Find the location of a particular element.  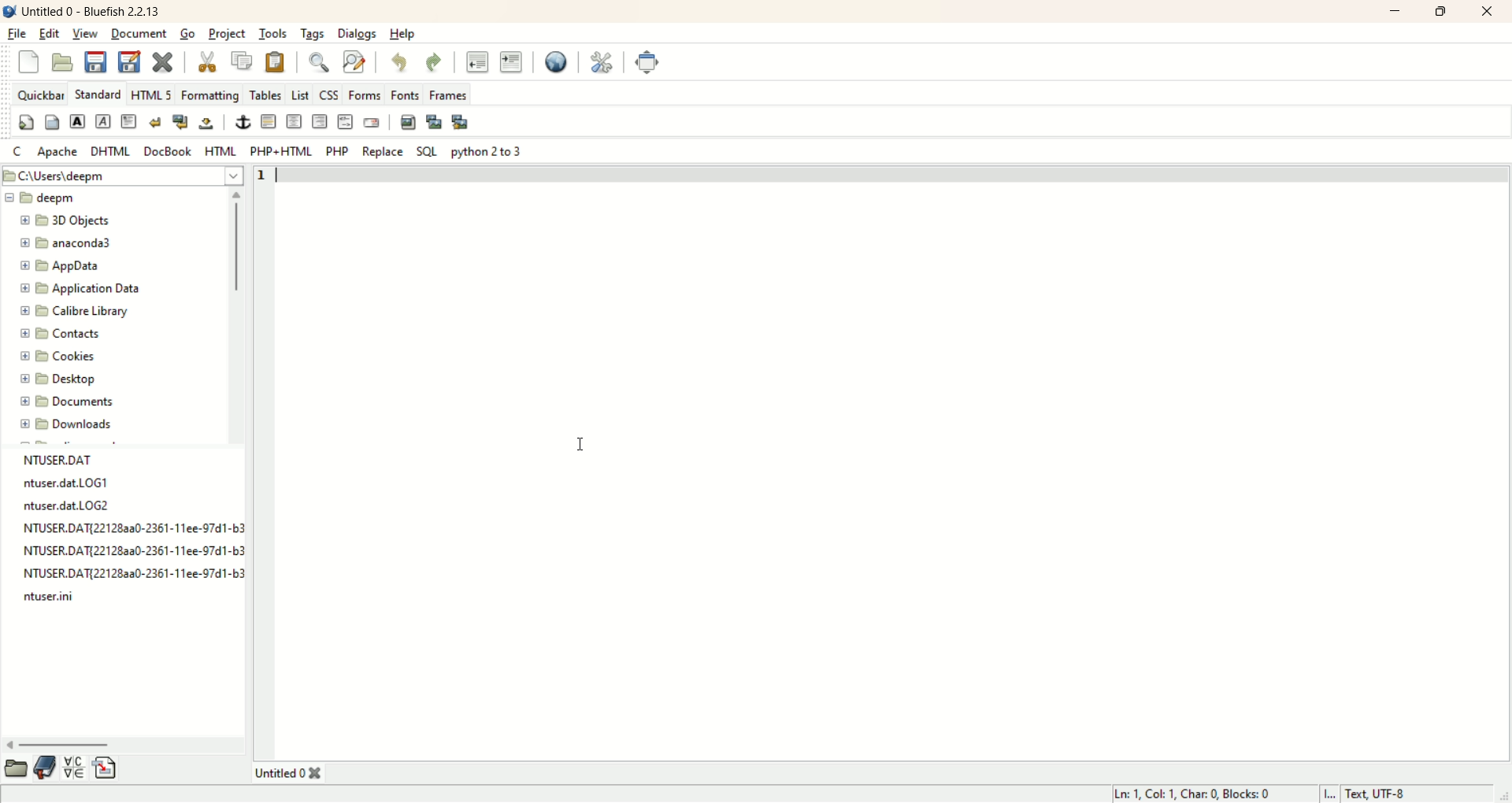

insert image is located at coordinates (406, 121).